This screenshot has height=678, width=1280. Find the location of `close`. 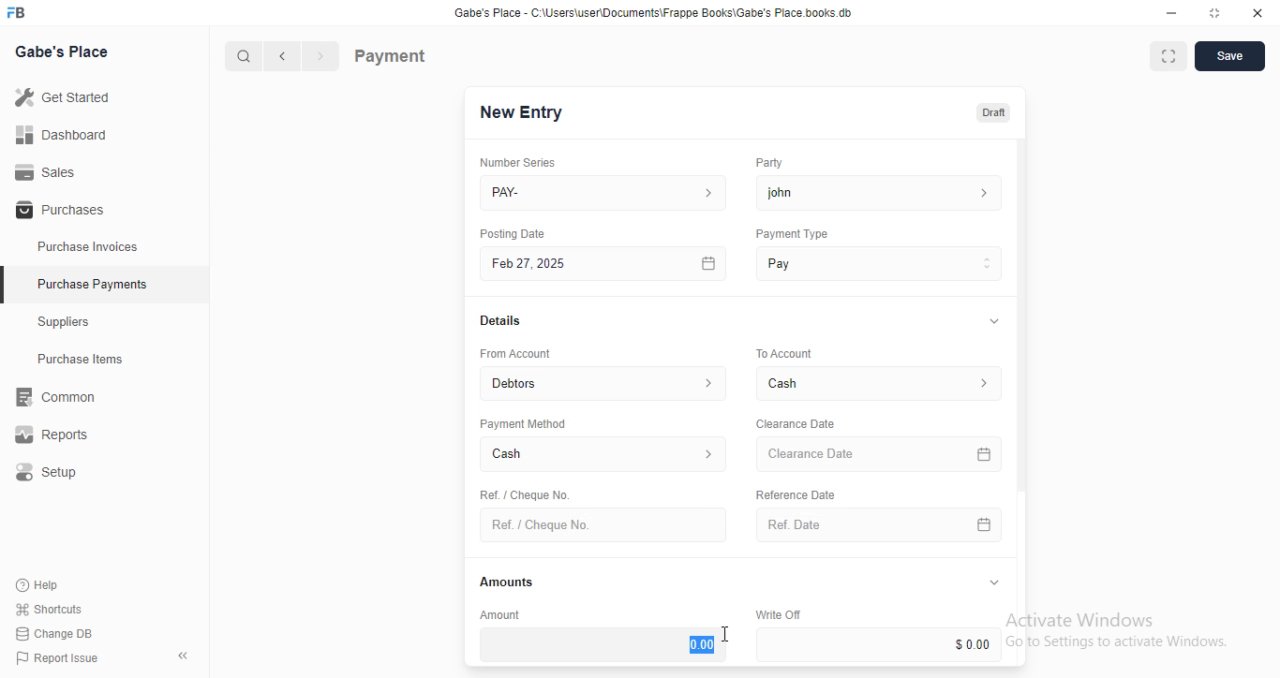

close is located at coordinates (1258, 13).